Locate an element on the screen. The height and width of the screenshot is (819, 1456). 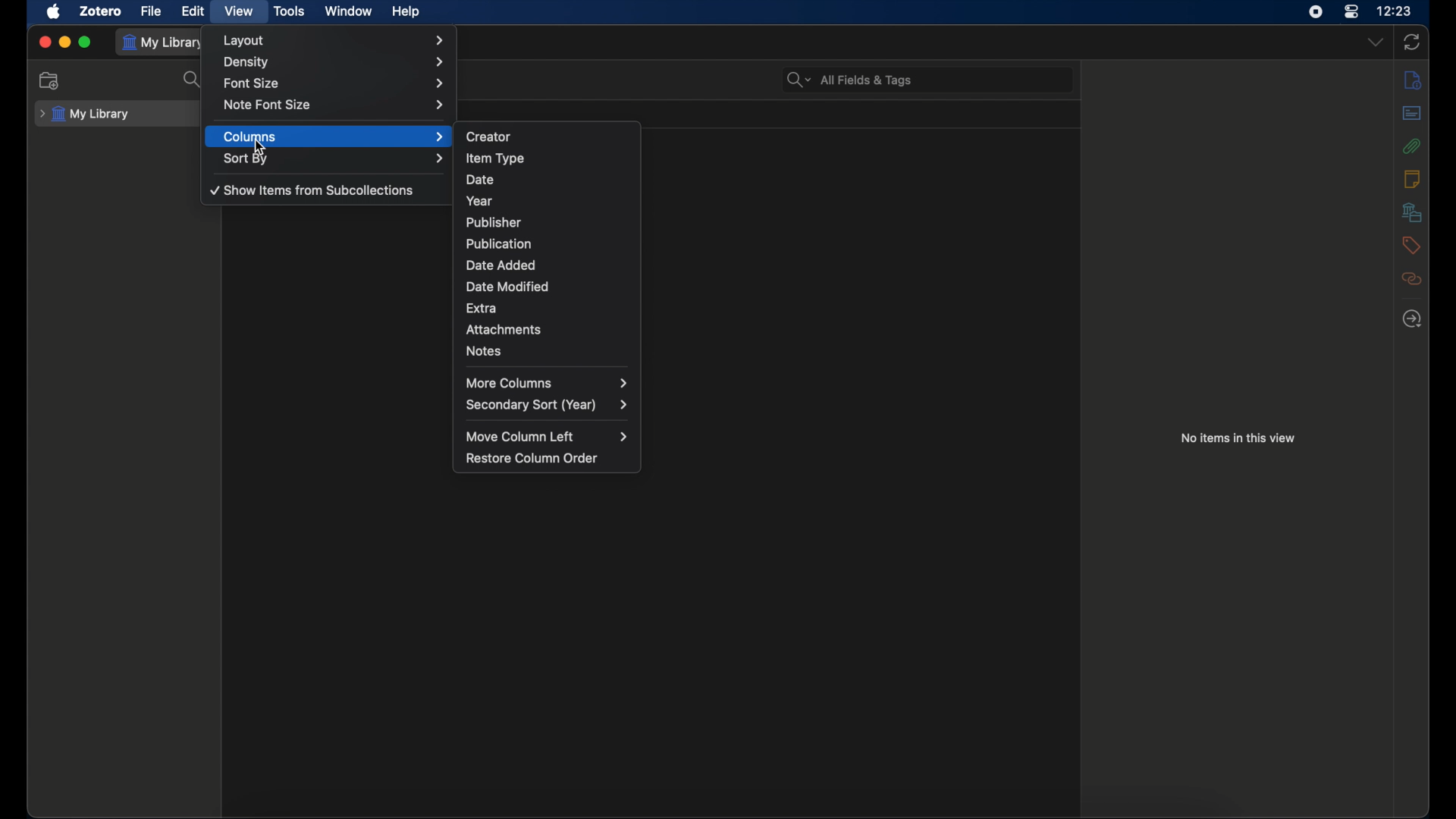
creator is located at coordinates (490, 136).